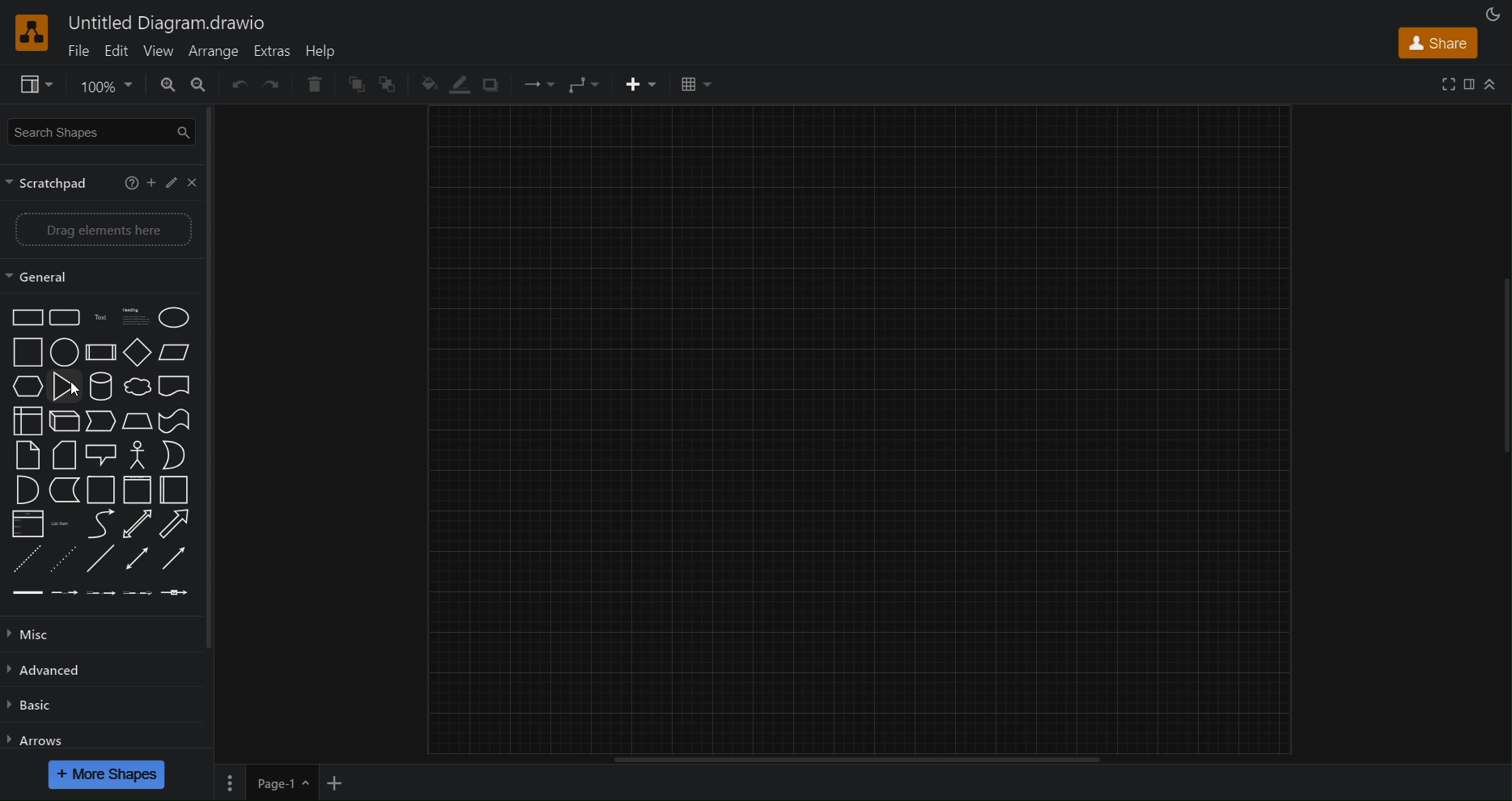  Describe the element at coordinates (40, 741) in the screenshot. I see `Arrows` at that location.